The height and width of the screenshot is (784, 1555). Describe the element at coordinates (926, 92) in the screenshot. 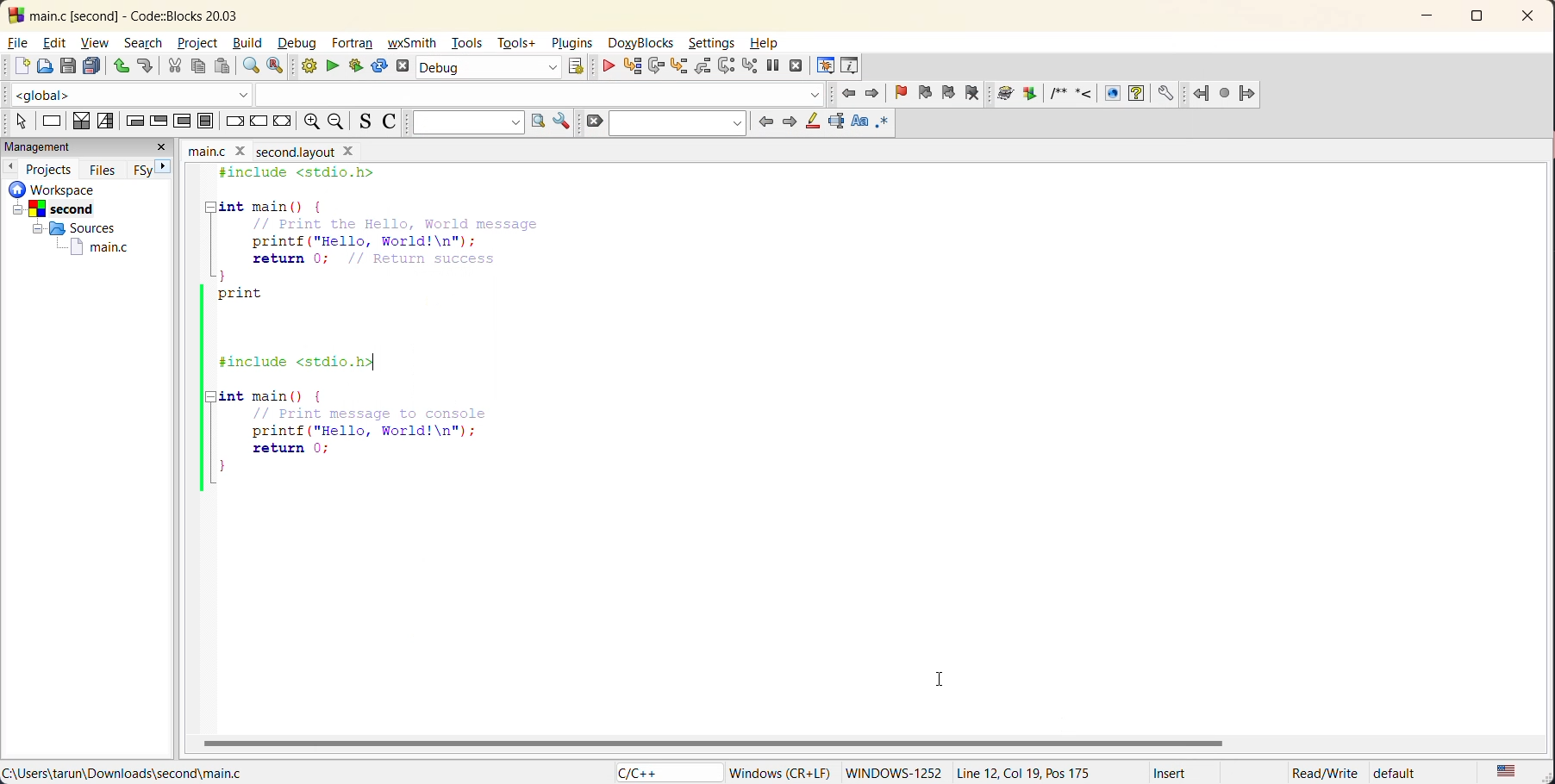

I see `previous bookmark` at that location.